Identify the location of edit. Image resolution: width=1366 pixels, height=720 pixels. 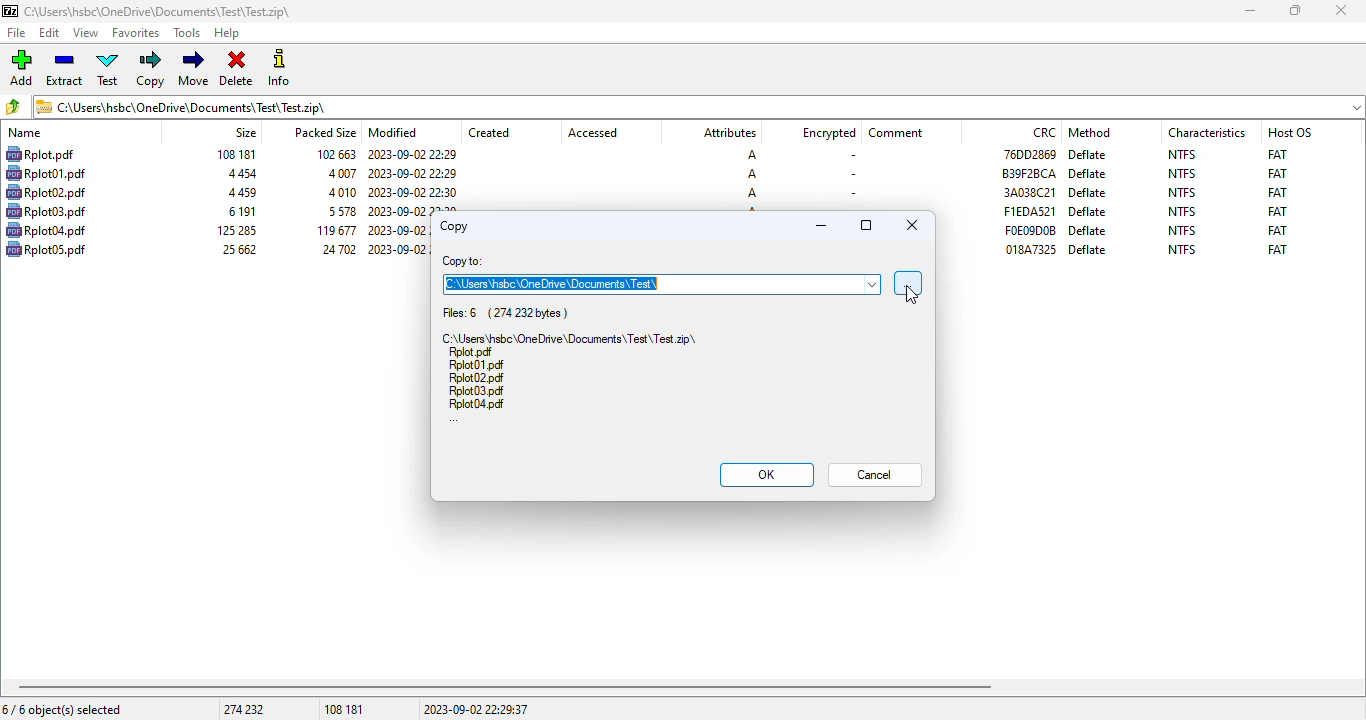
(50, 33).